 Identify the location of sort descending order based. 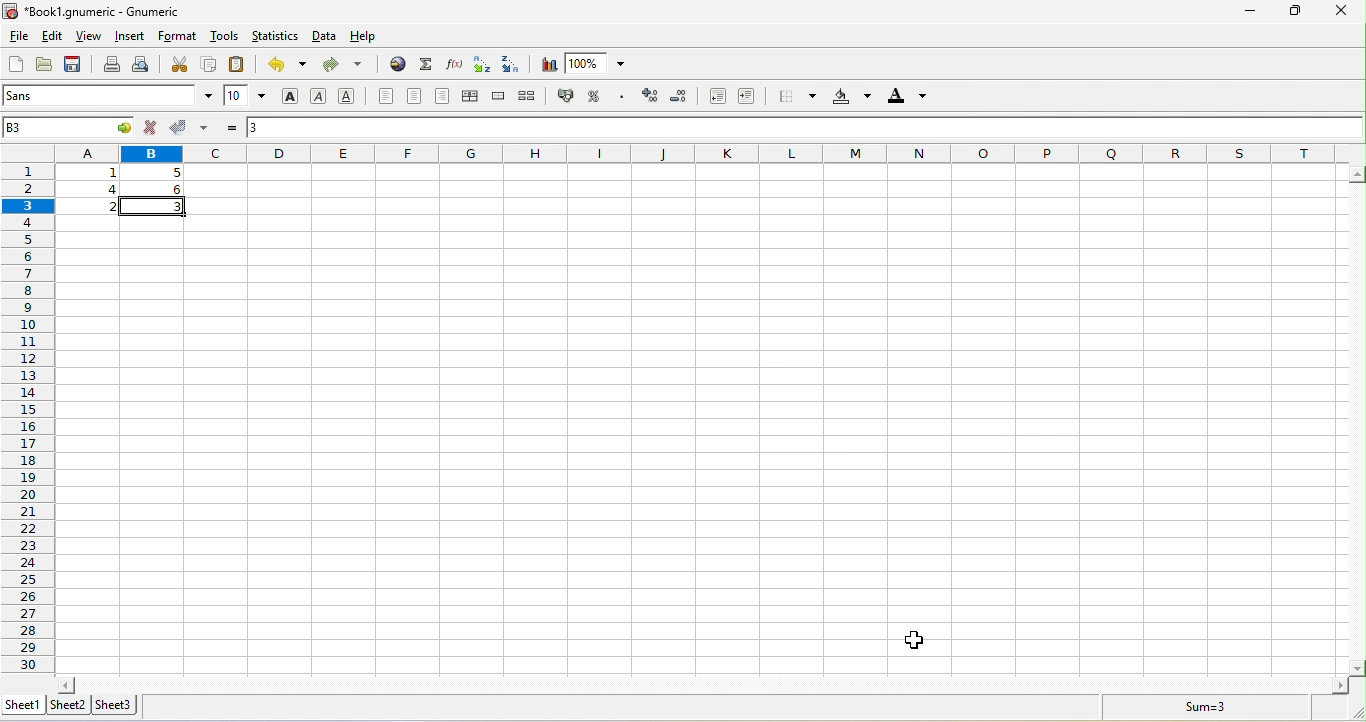
(514, 64).